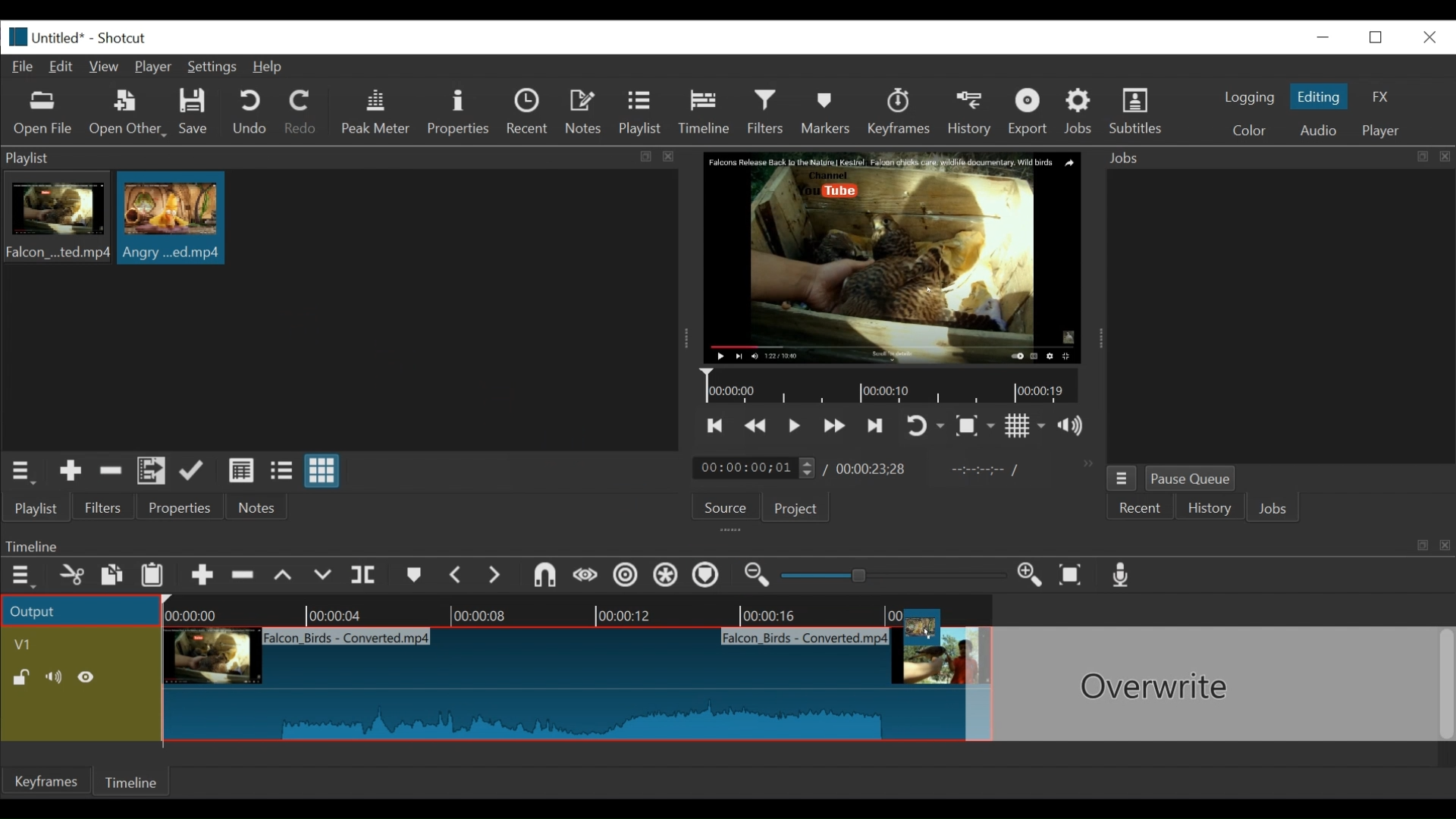 The width and height of the screenshot is (1456, 819). Describe the element at coordinates (793, 510) in the screenshot. I see `Project` at that location.